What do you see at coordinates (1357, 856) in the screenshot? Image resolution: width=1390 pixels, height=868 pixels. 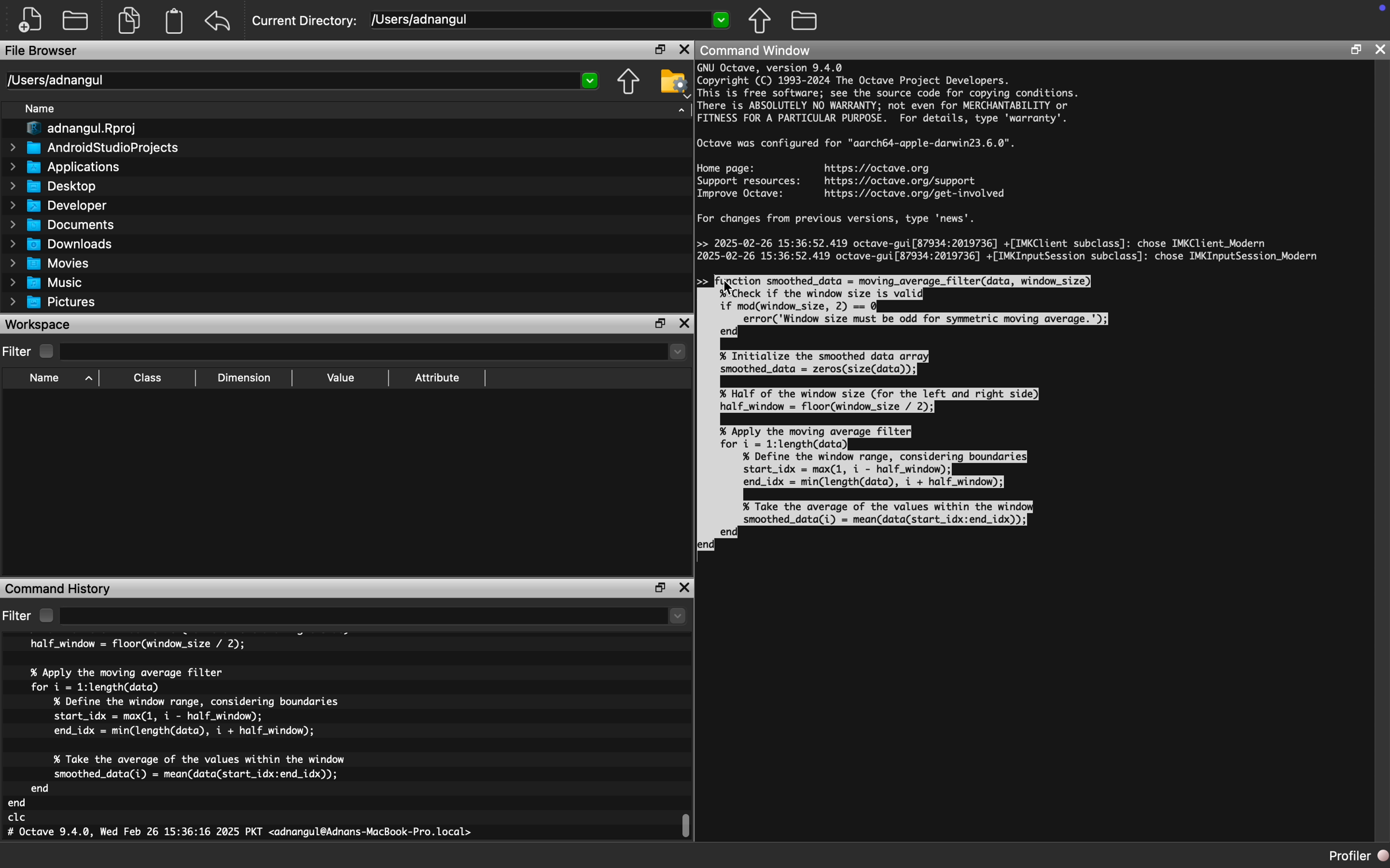 I see `Profiler` at bounding box center [1357, 856].